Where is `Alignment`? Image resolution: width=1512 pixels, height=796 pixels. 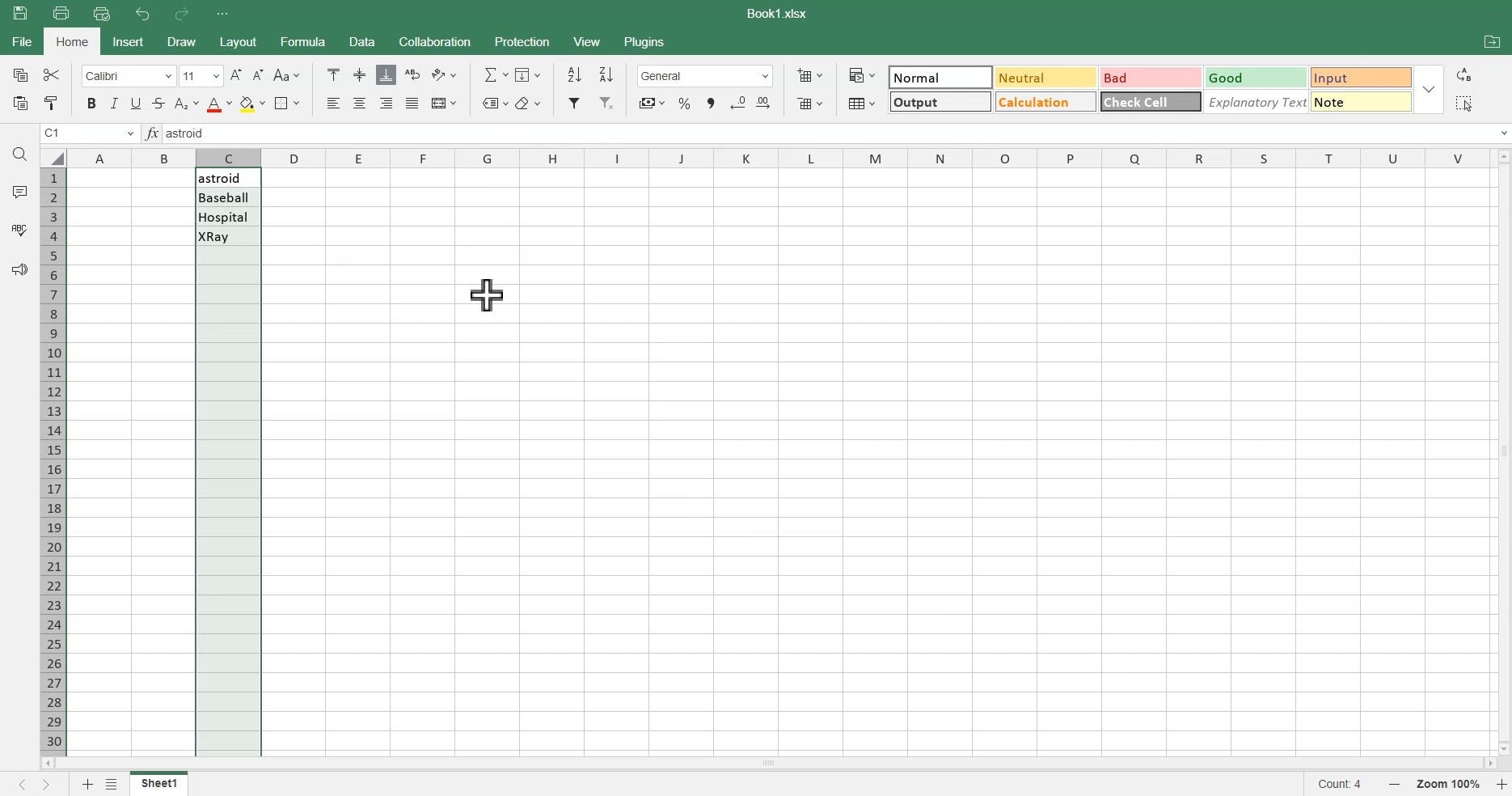
Alignment is located at coordinates (412, 104).